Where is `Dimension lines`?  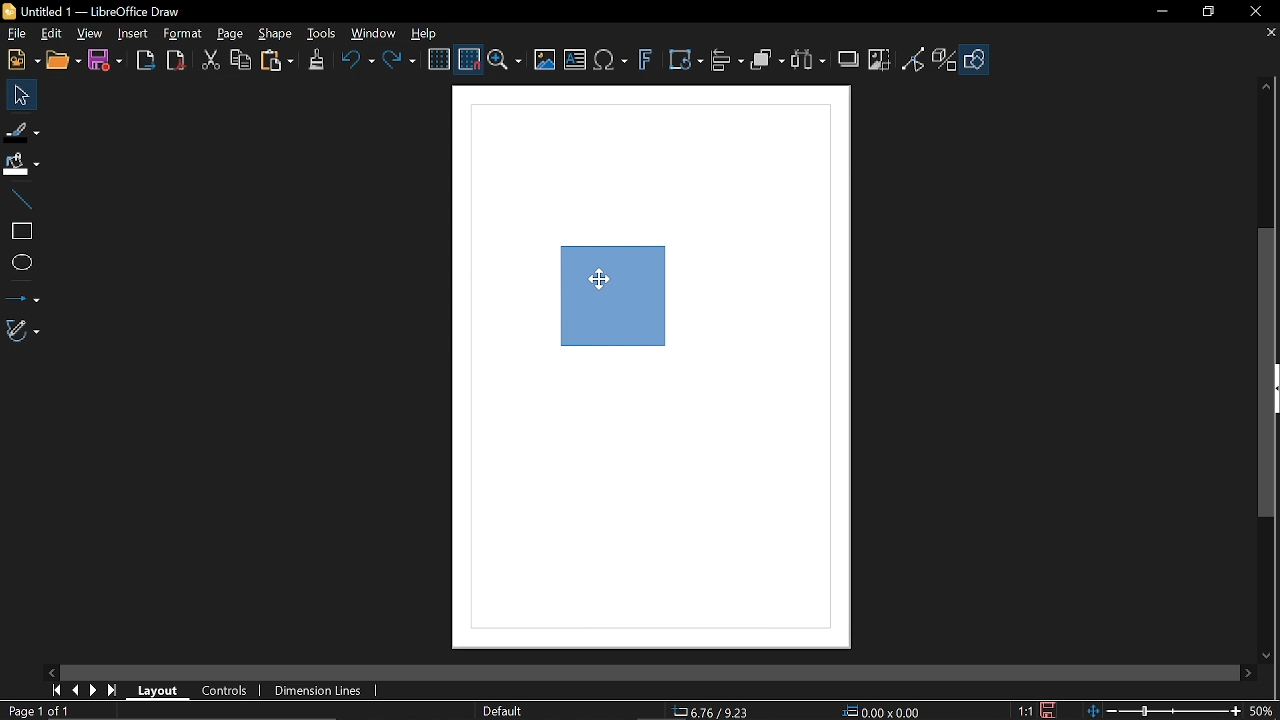
Dimension lines is located at coordinates (314, 690).